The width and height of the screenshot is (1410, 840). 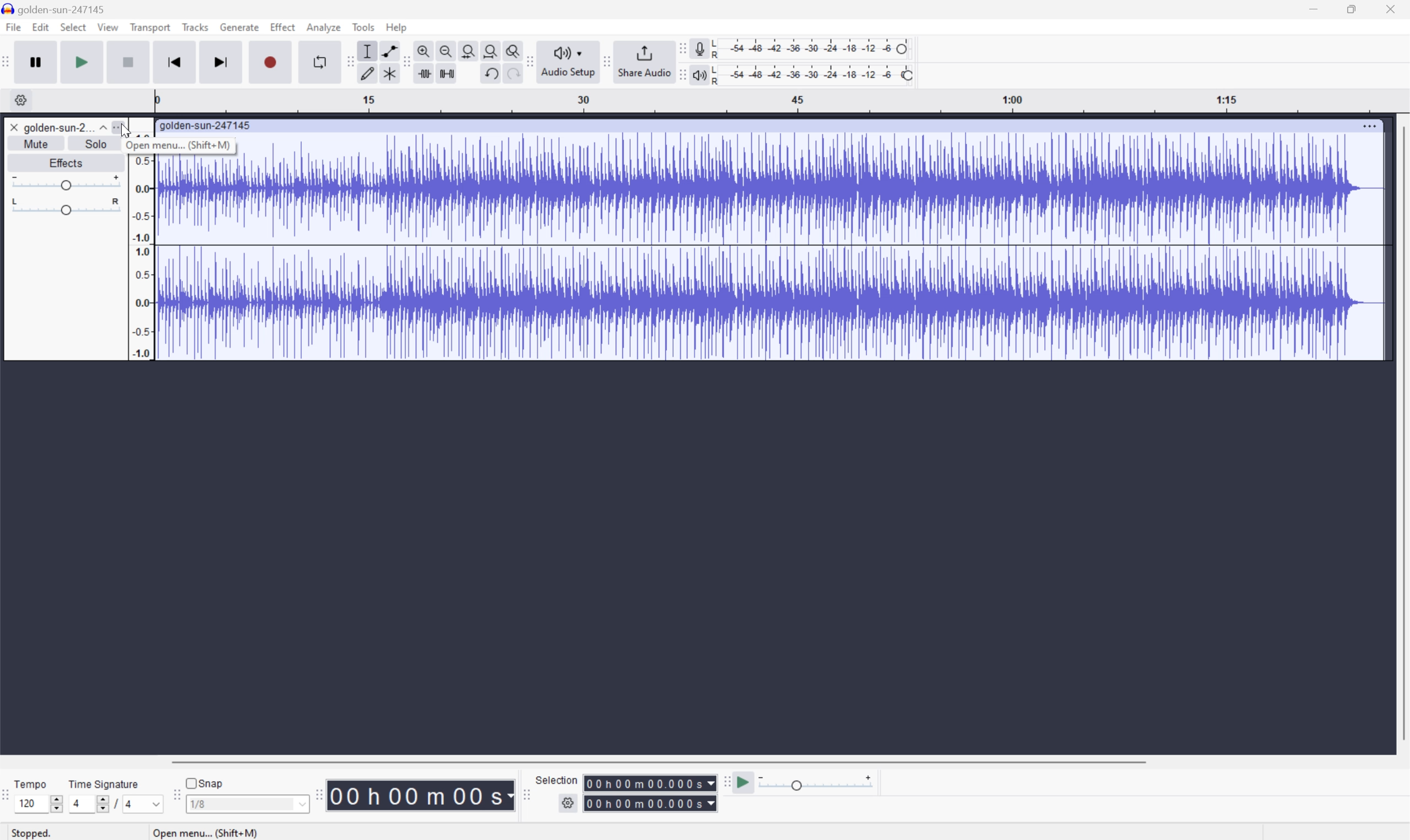 I want to click on Select, so click(x=75, y=29).